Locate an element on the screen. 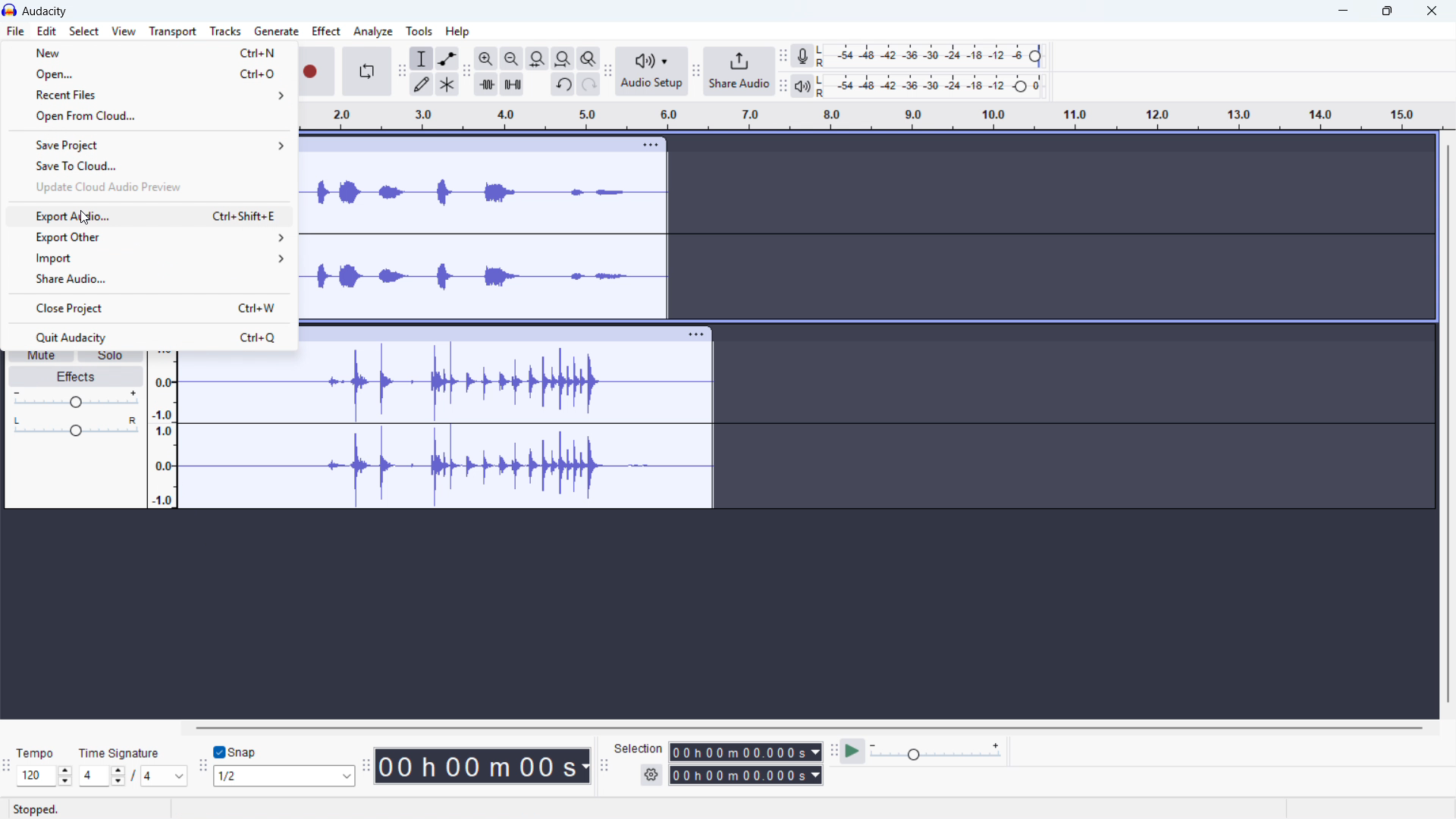 The image size is (1456, 819). Edit toolbar  is located at coordinates (400, 73).